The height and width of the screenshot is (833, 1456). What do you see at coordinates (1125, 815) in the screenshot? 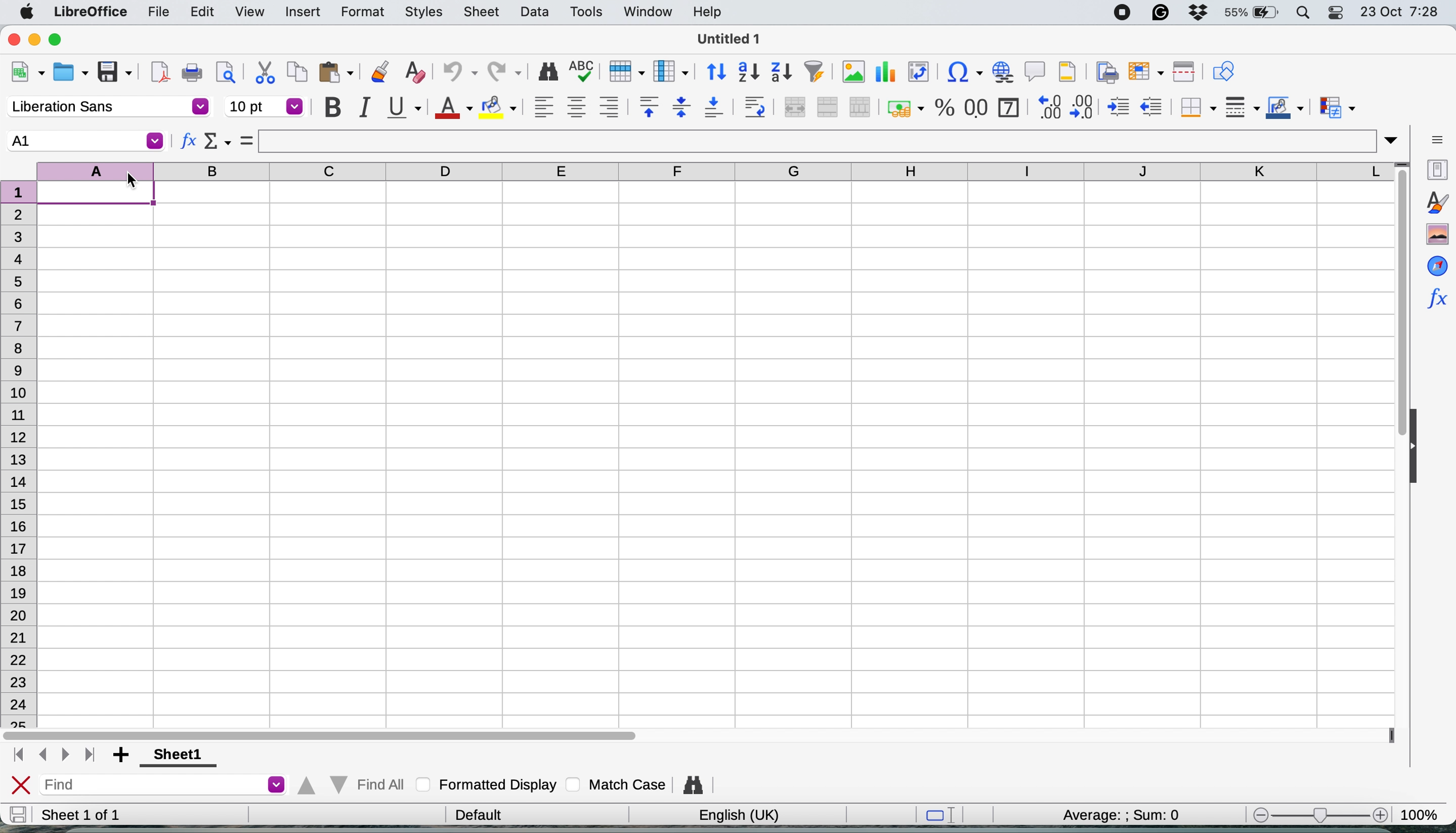
I see `average and sum` at bounding box center [1125, 815].